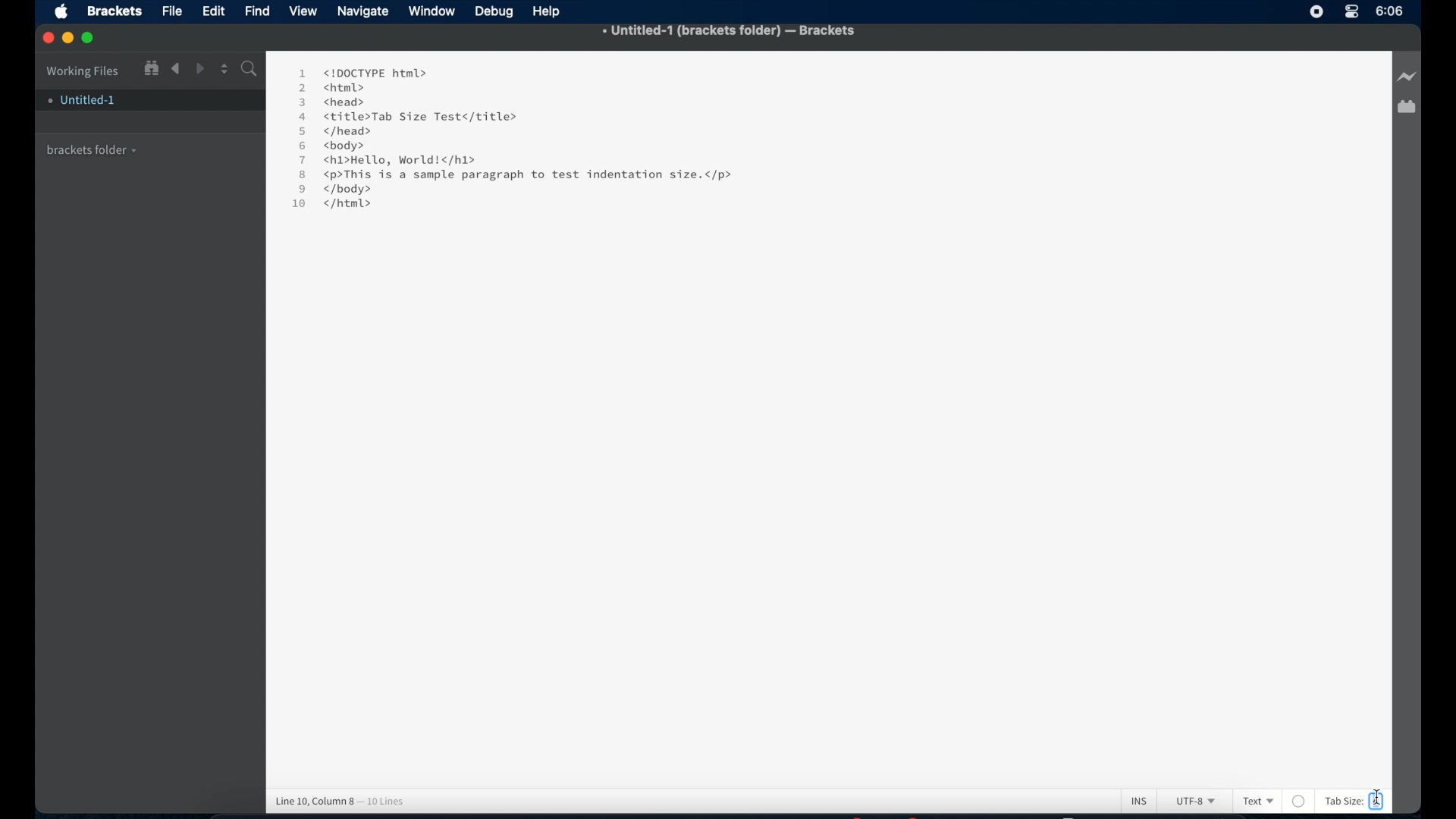 The width and height of the screenshot is (1456, 819). Describe the element at coordinates (406, 117) in the screenshot. I see `4 <title> Tab Size Test</title>` at that location.